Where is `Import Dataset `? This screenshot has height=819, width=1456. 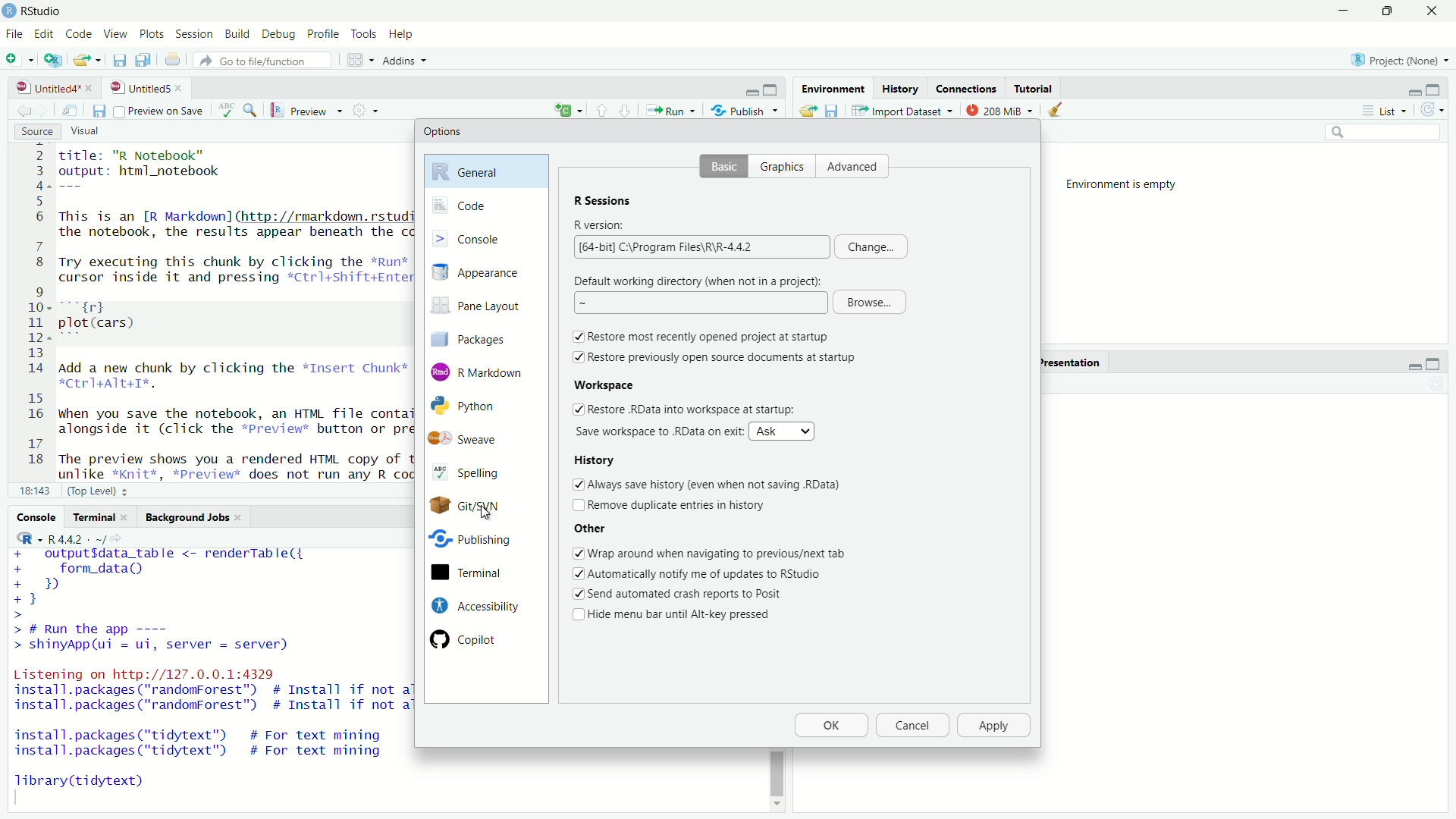
Import Dataset  is located at coordinates (903, 110).